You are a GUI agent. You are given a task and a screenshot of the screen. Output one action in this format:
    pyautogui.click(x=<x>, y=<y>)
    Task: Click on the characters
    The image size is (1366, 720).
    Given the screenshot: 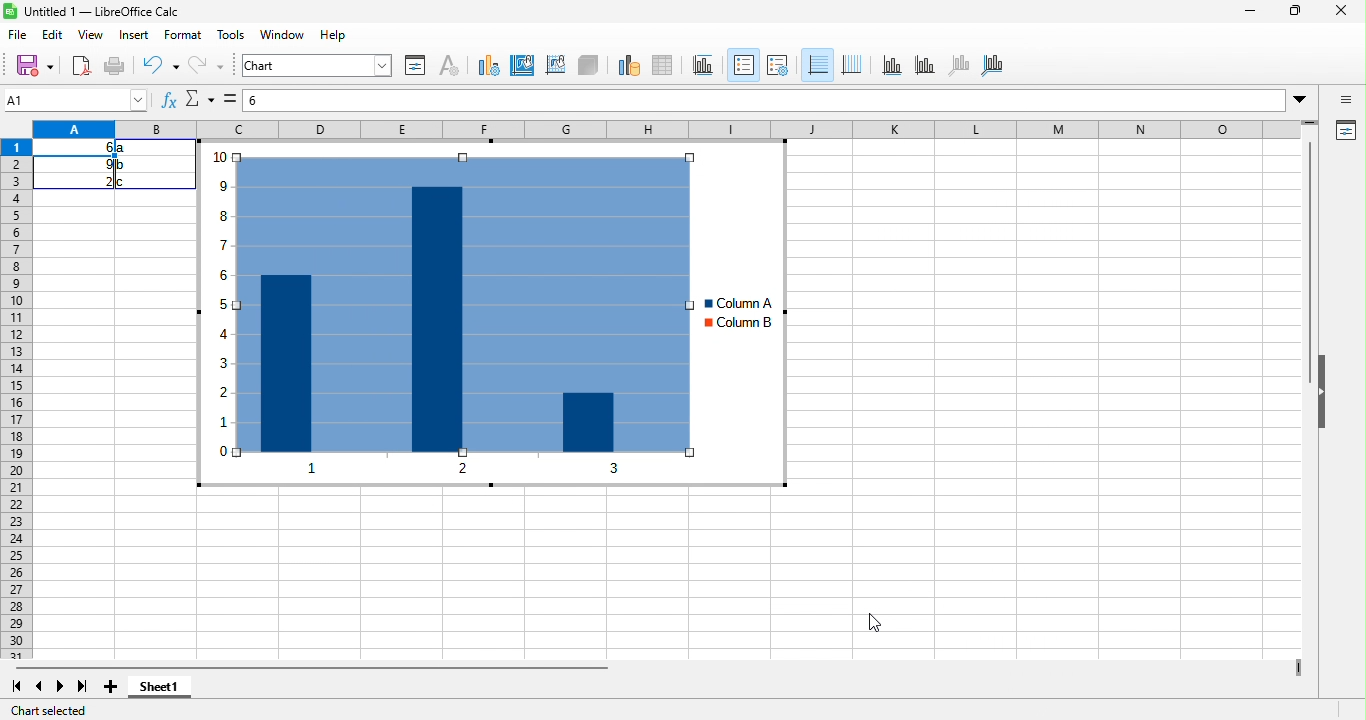 What is the action you would take?
    pyautogui.click(x=448, y=64)
    